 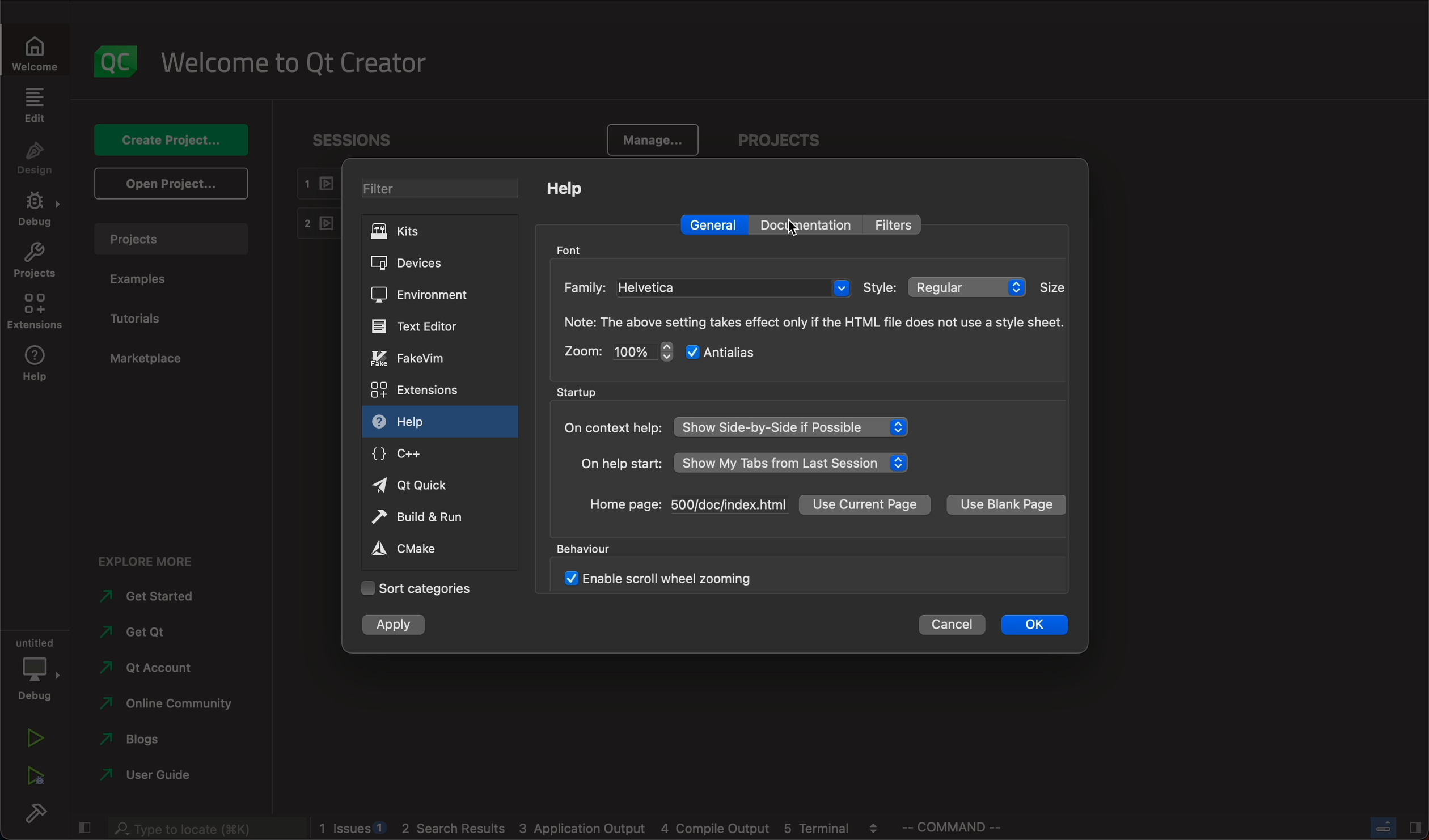 What do you see at coordinates (1009, 506) in the screenshot?
I see `blank page` at bounding box center [1009, 506].